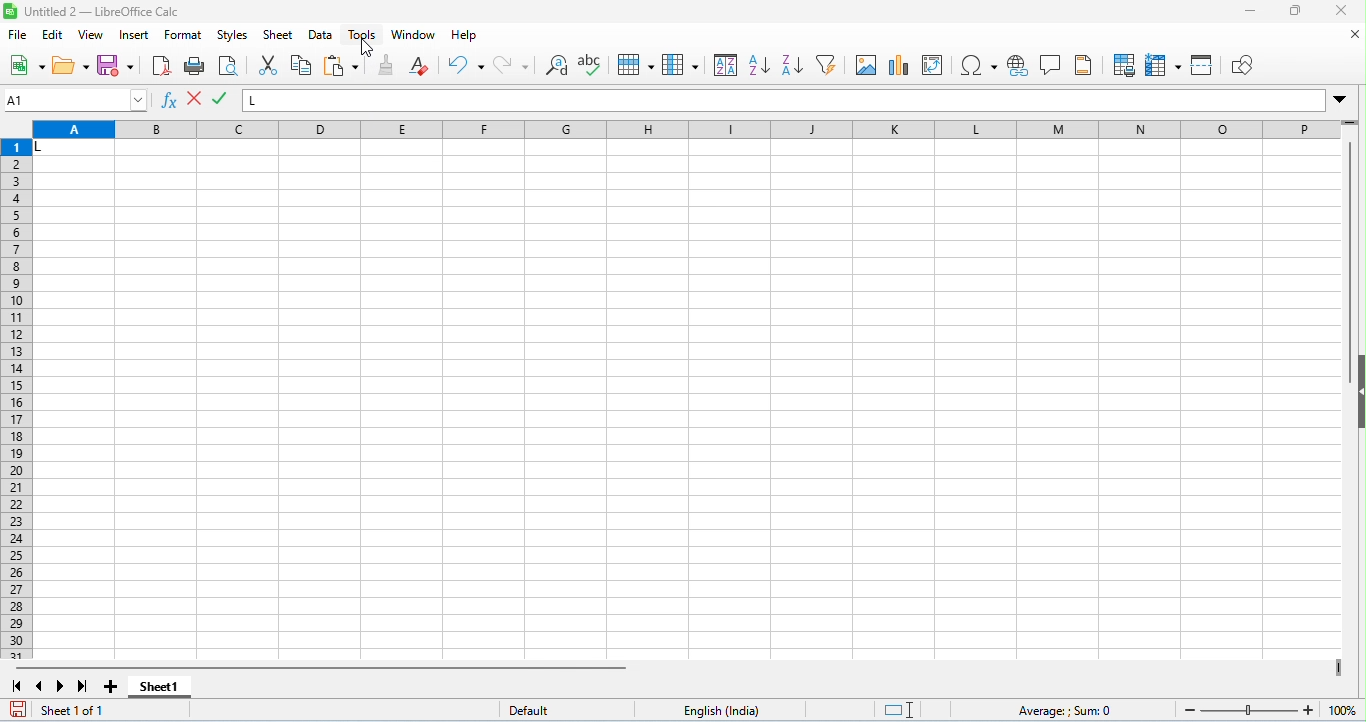 The height and width of the screenshot is (722, 1366). Describe the element at coordinates (1266, 708) in the screenshot. I see `zoom` at that location.